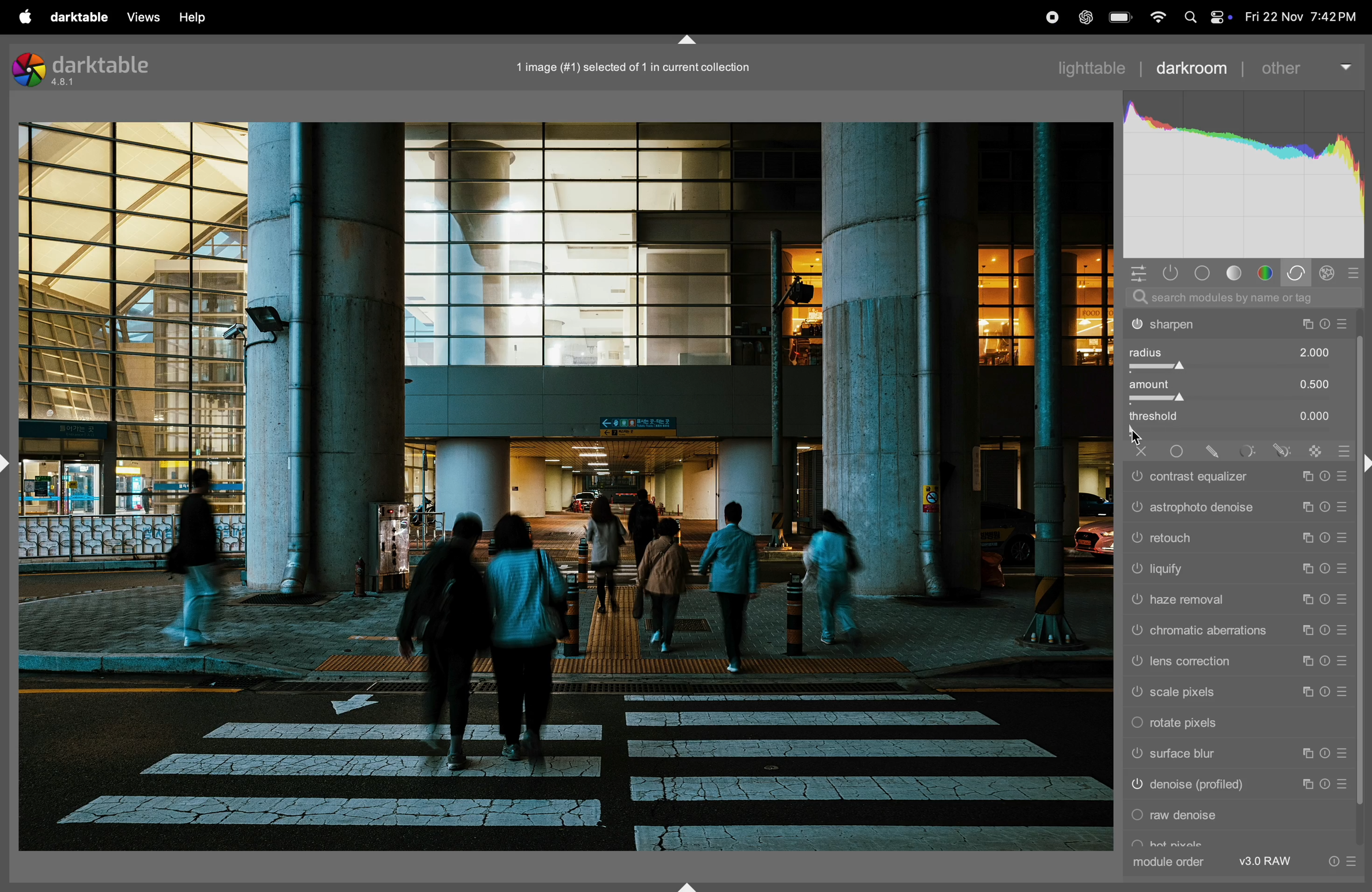 The width and height of the screenshot is (1372, 892). I want to click on liquify, so click(1239, 568).